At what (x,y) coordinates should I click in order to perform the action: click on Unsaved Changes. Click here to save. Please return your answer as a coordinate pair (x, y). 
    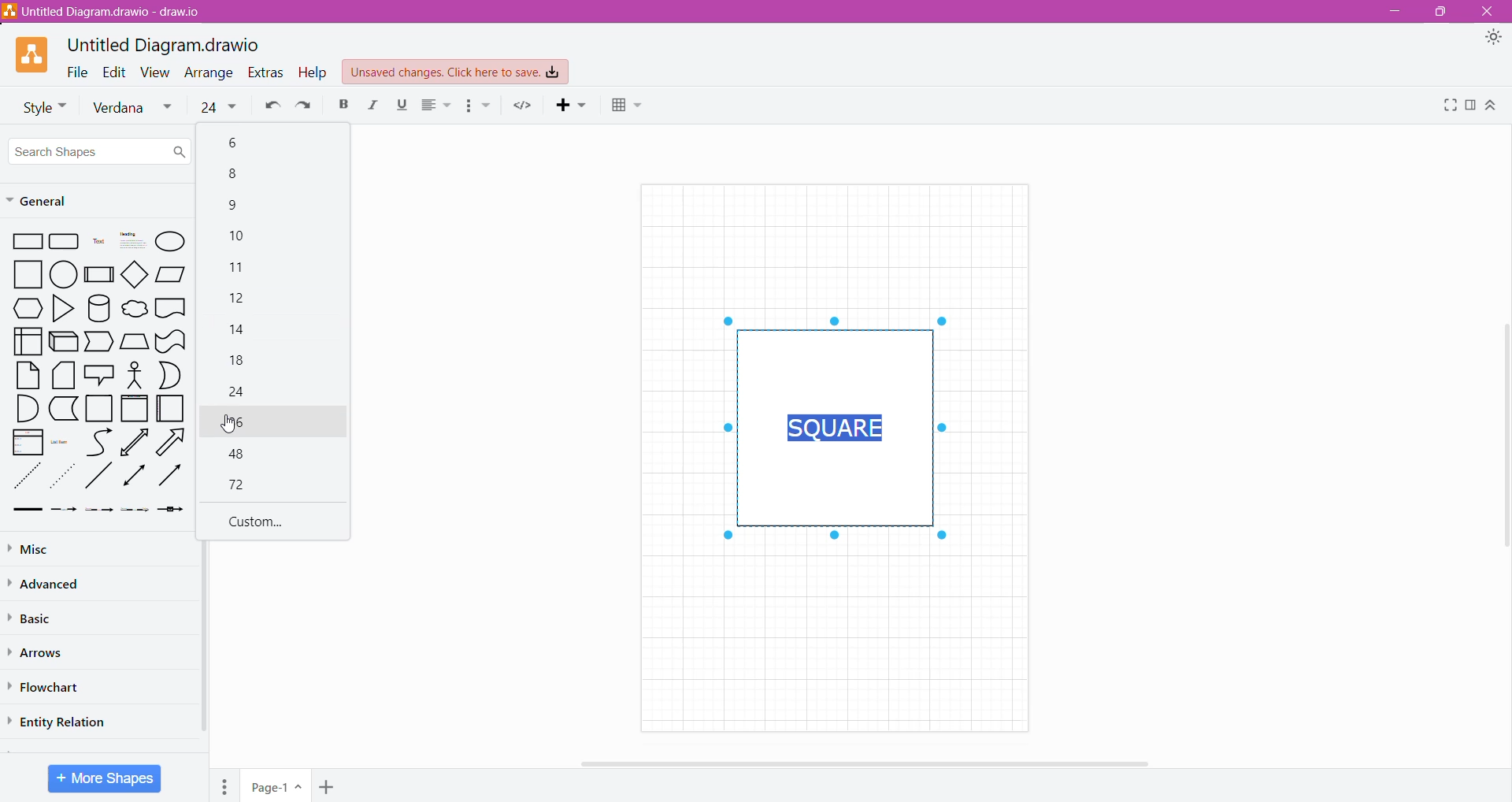
    Looking at the image, I should click on (456, 72).